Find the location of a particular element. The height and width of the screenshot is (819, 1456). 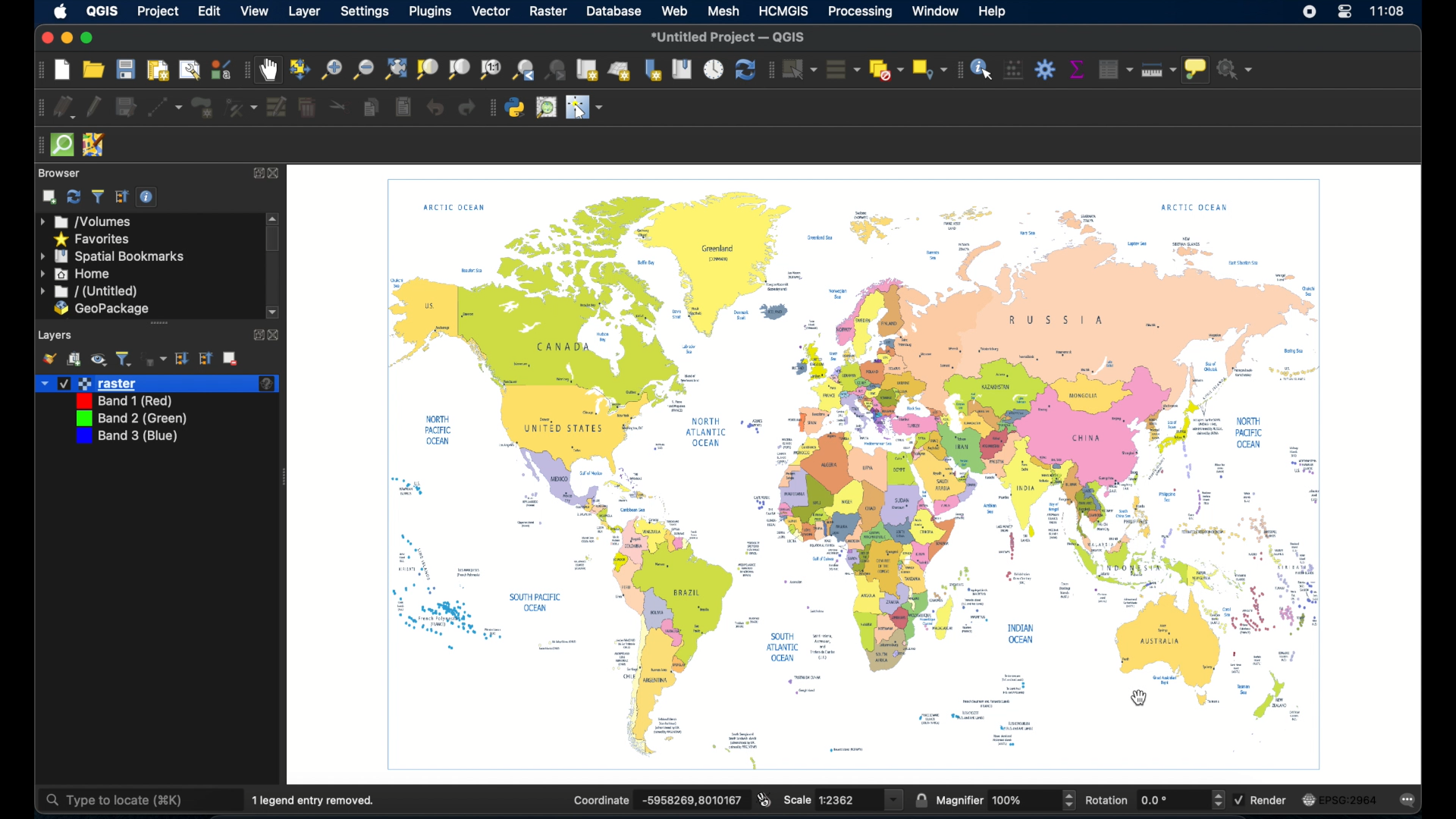

measure line is located at coordinates (1161, 72).